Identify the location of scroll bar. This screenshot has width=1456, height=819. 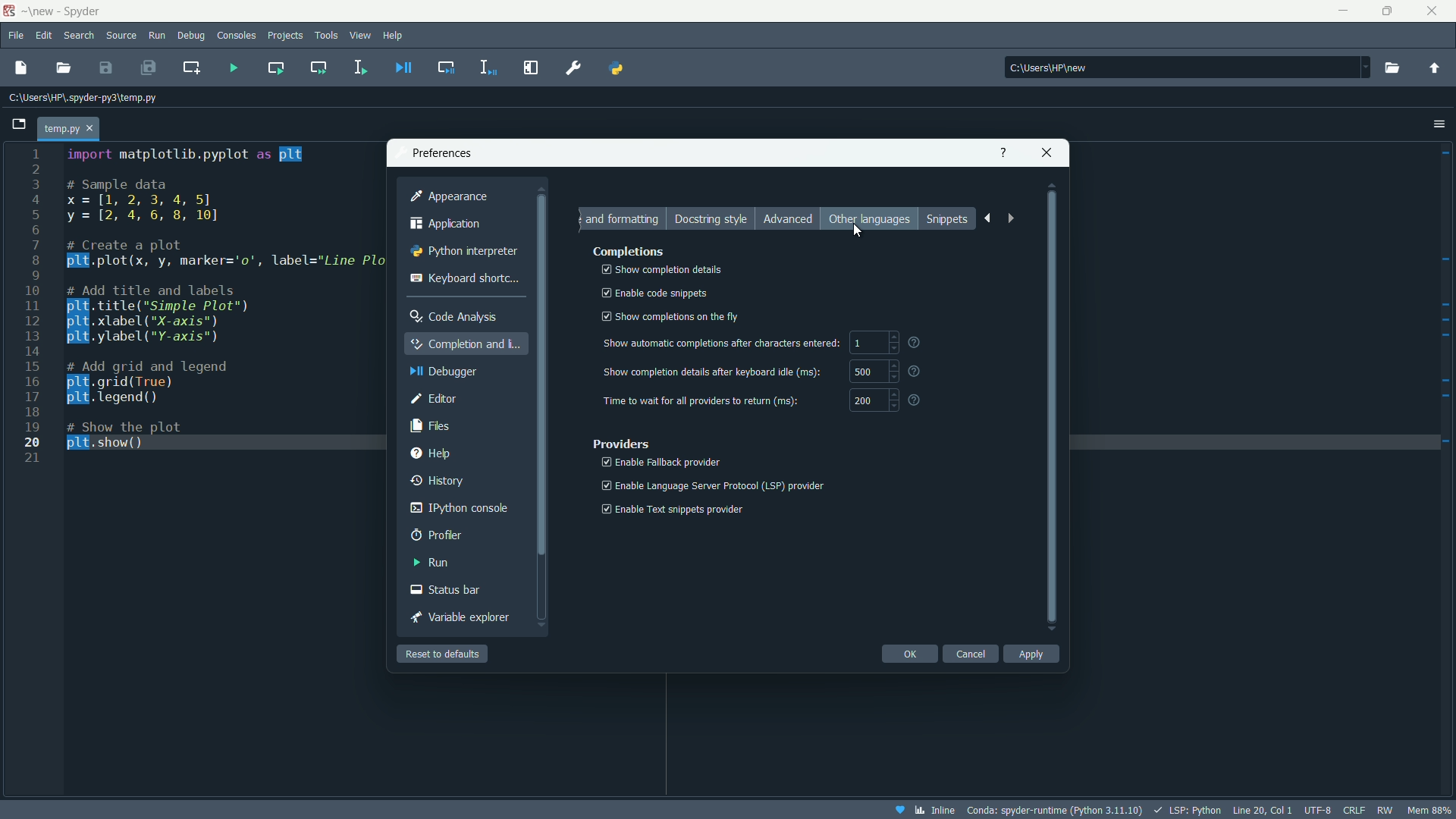
(541, 418).